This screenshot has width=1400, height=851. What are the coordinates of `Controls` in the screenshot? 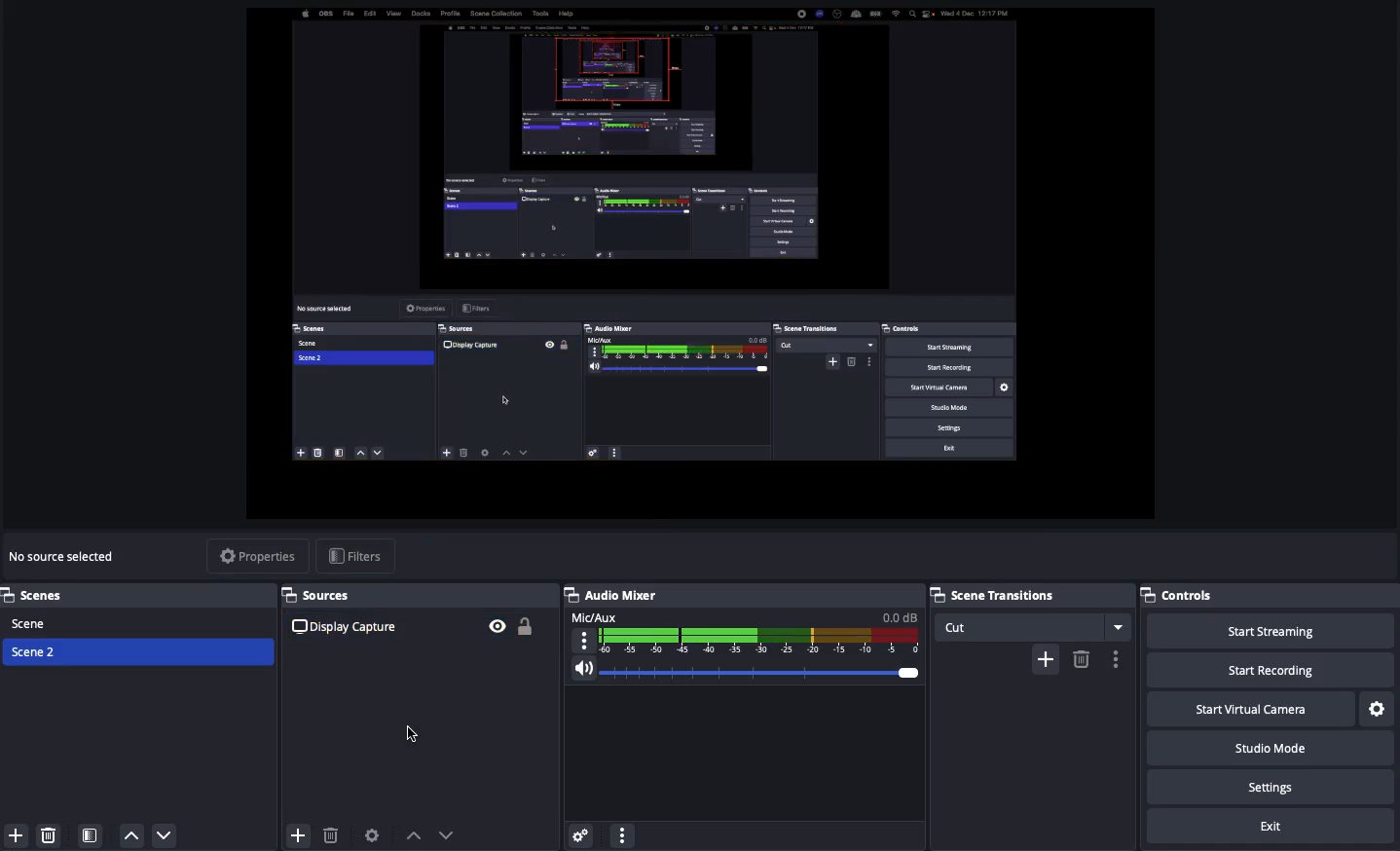 It's located at (1179, 595).